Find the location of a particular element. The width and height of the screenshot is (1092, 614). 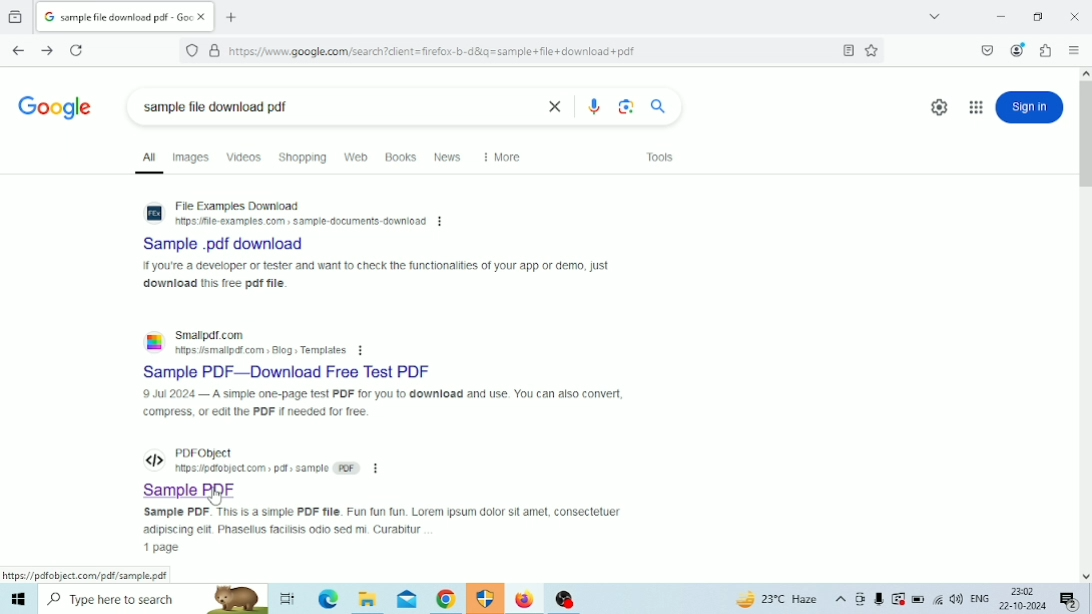

Microsoft Edge is located at coordinates (328, 599).